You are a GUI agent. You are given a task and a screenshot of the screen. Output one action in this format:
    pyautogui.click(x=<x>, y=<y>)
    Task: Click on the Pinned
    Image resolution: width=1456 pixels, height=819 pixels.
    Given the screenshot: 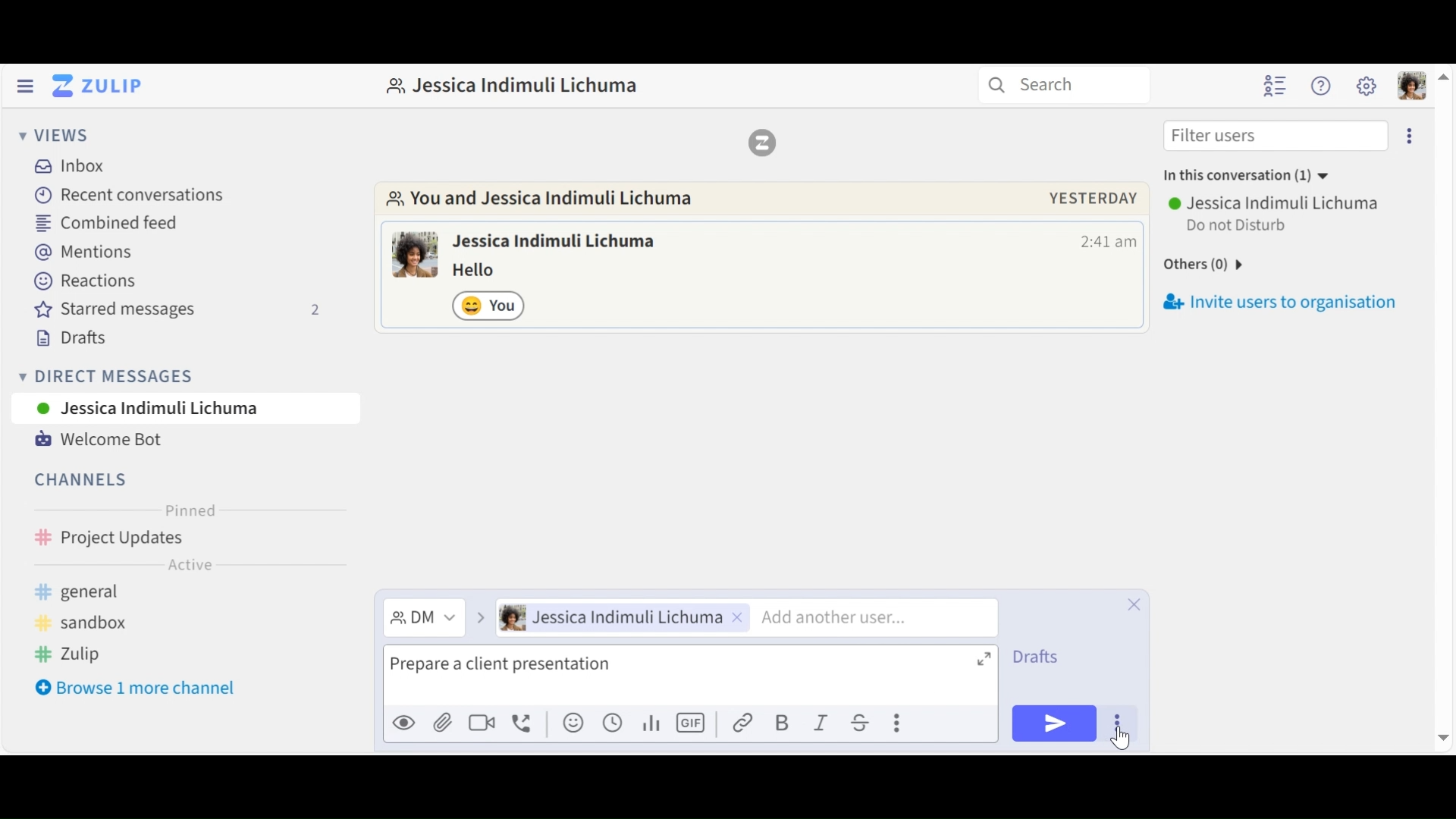 What is the action you would take?
    pyautogui.click(x=190, y=510)
    